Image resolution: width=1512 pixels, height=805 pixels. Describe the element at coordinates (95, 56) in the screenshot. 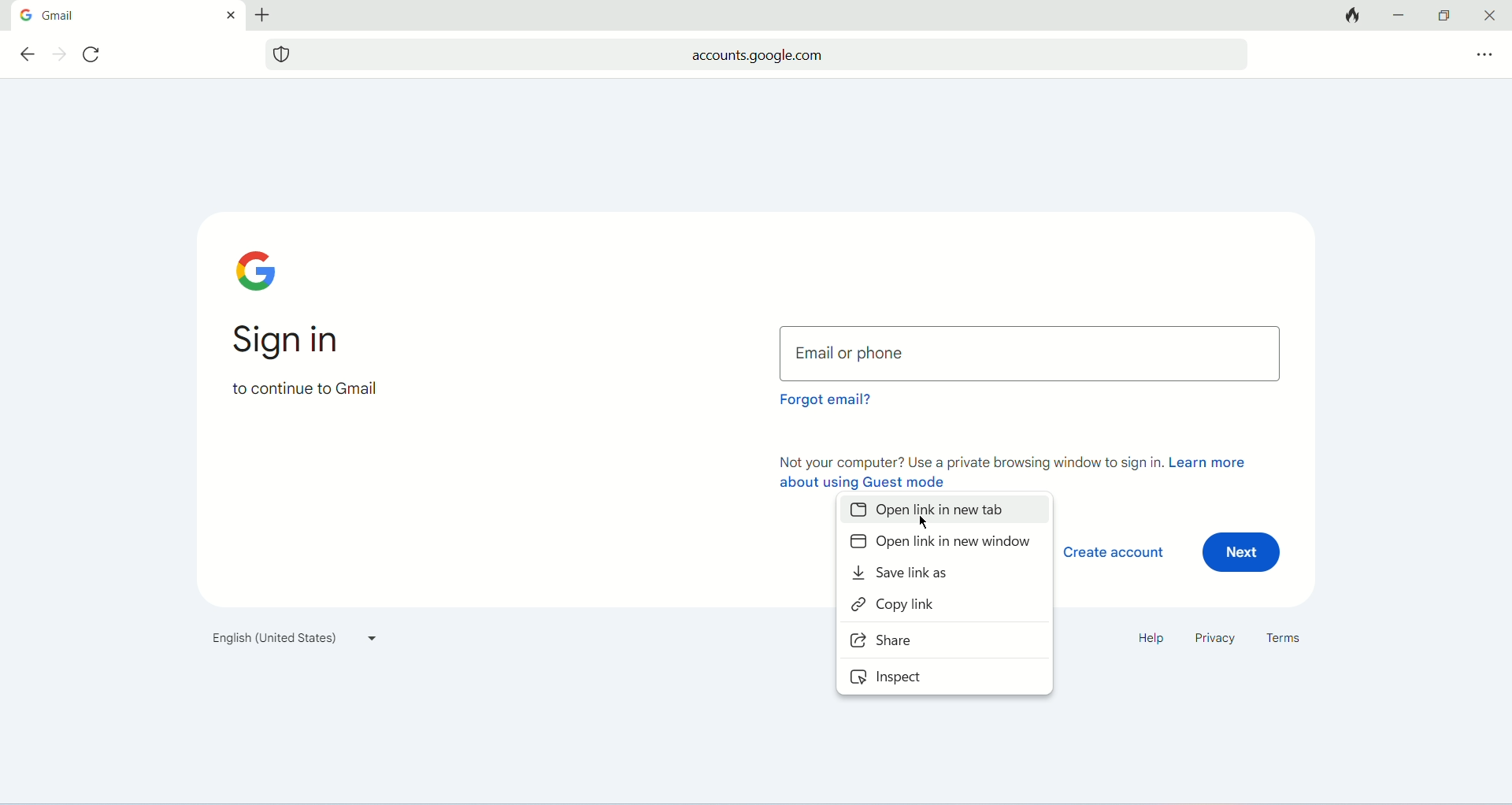

I see `refresh` at that location.